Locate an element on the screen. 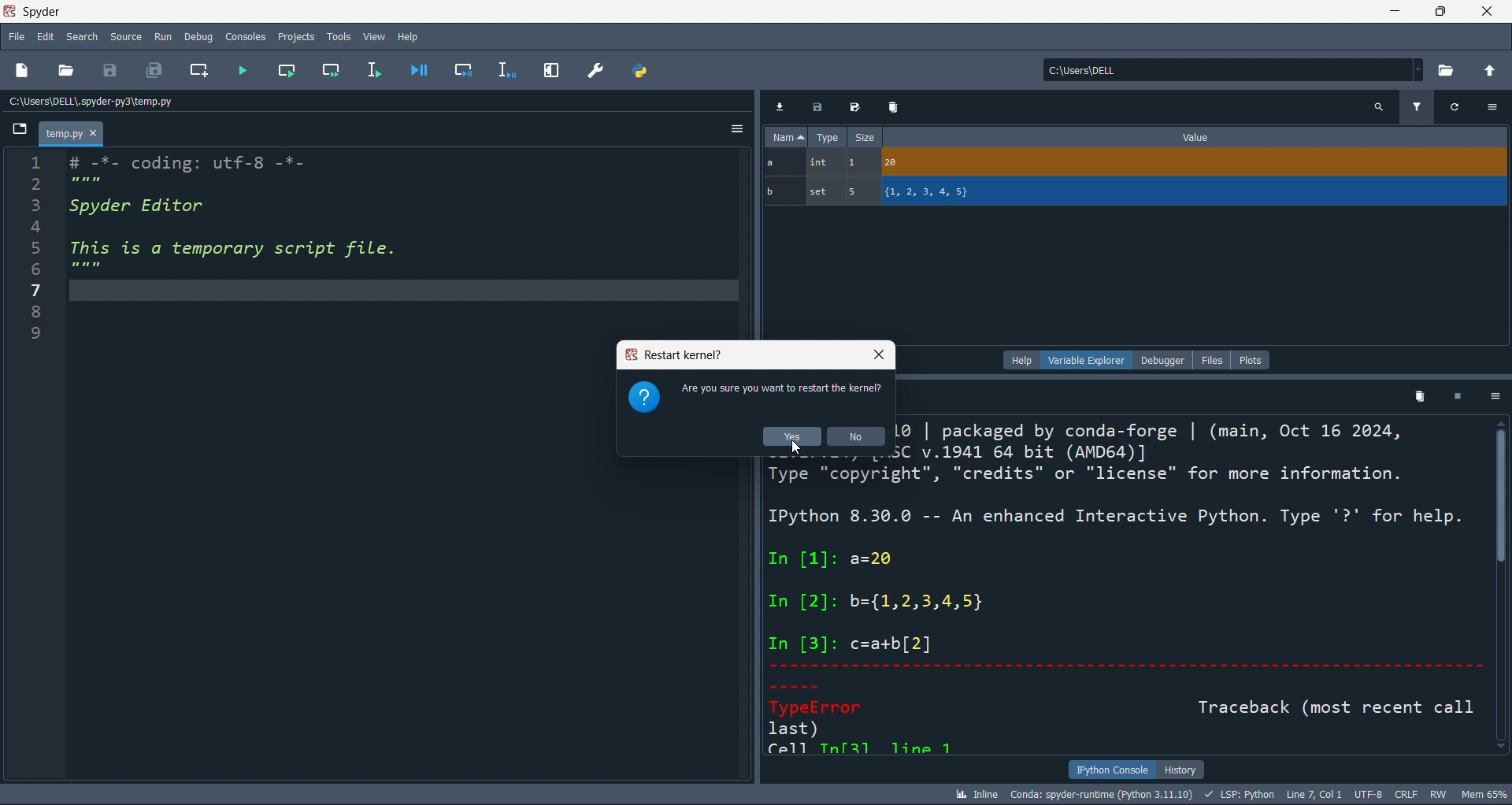  yes is located at coordinates (789, 437).